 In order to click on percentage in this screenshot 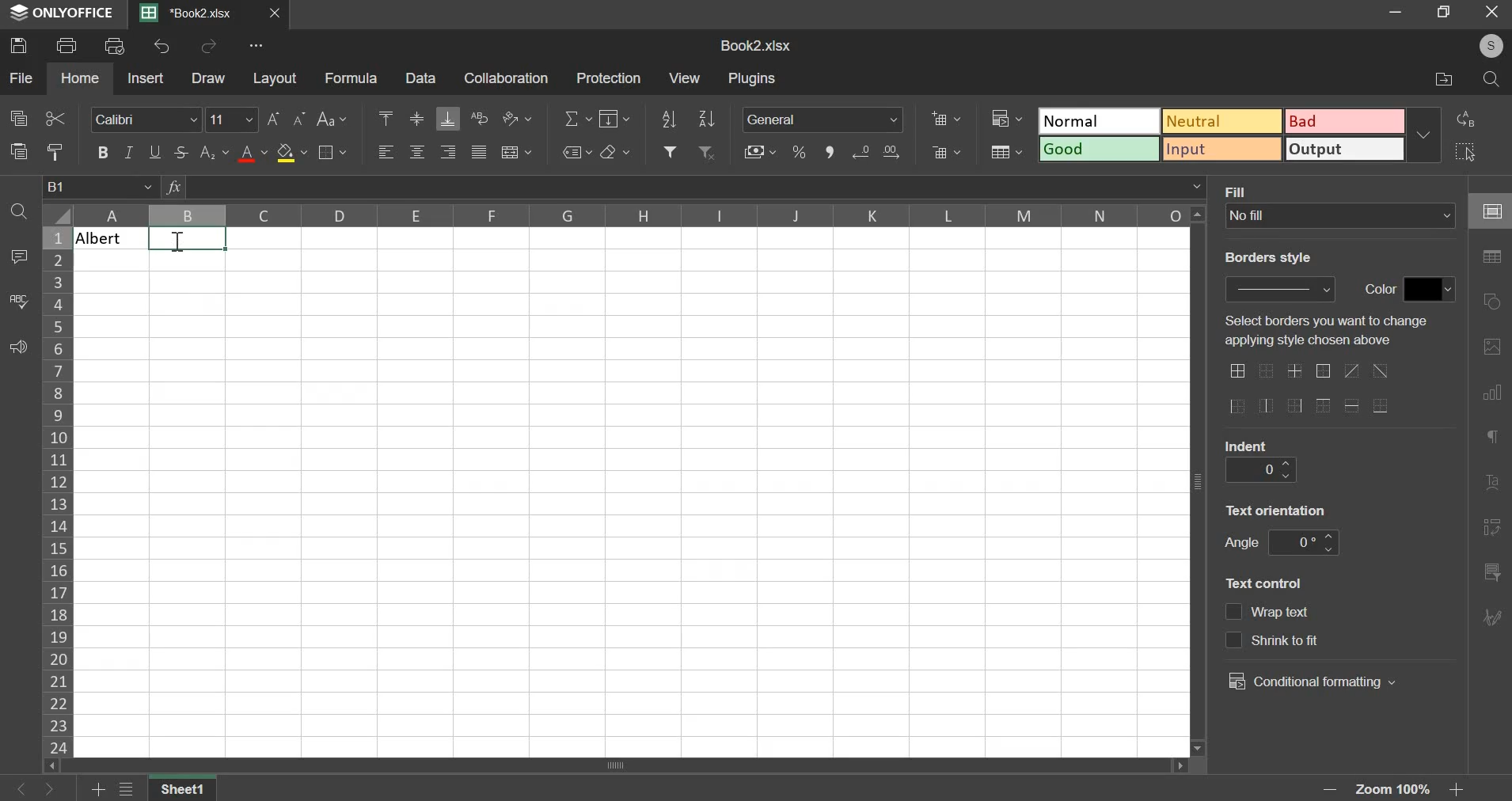, I will do `click(799, 151)`.